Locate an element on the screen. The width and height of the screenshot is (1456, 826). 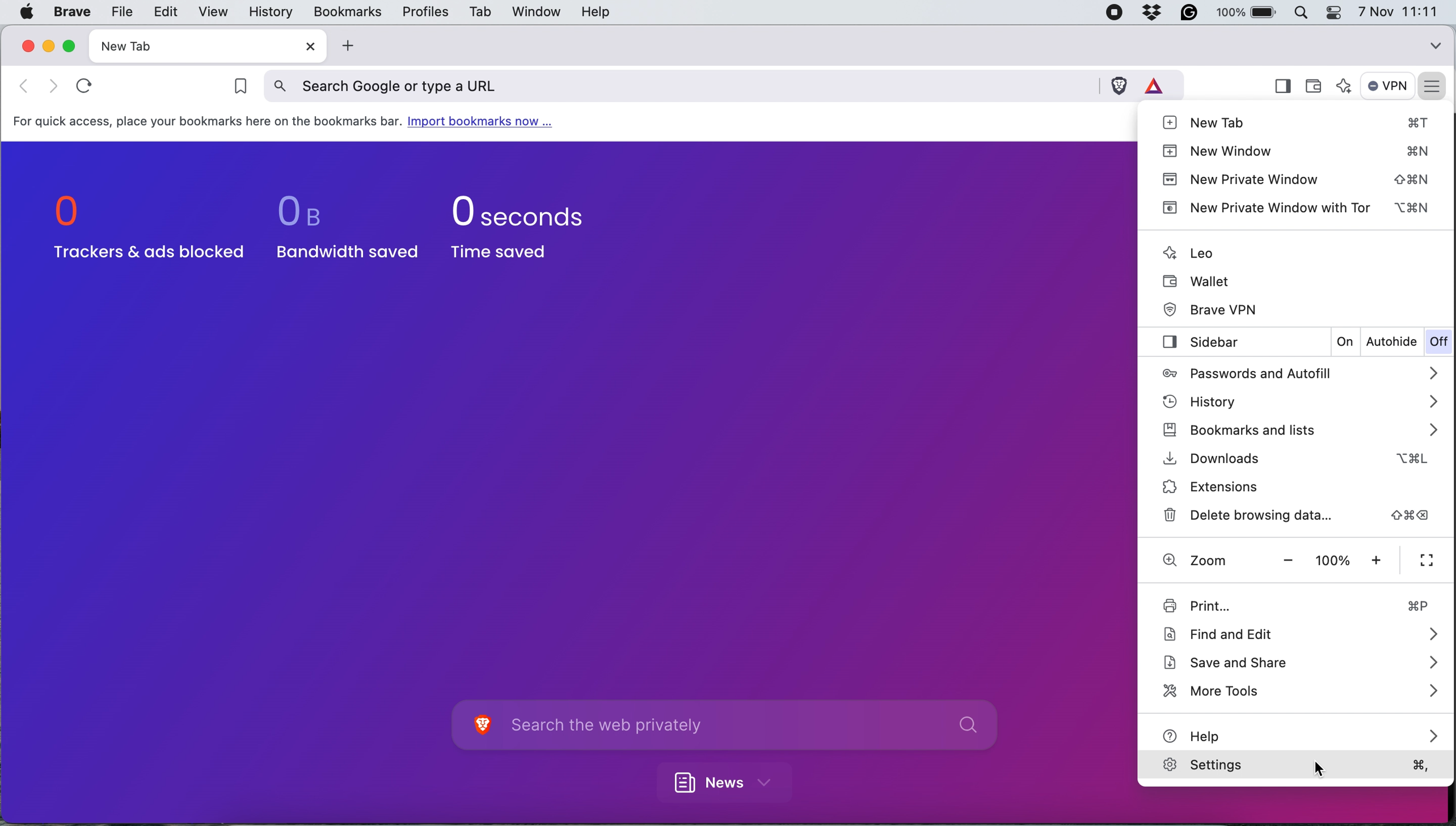
brave shields is located at coordinates (1119, 85).